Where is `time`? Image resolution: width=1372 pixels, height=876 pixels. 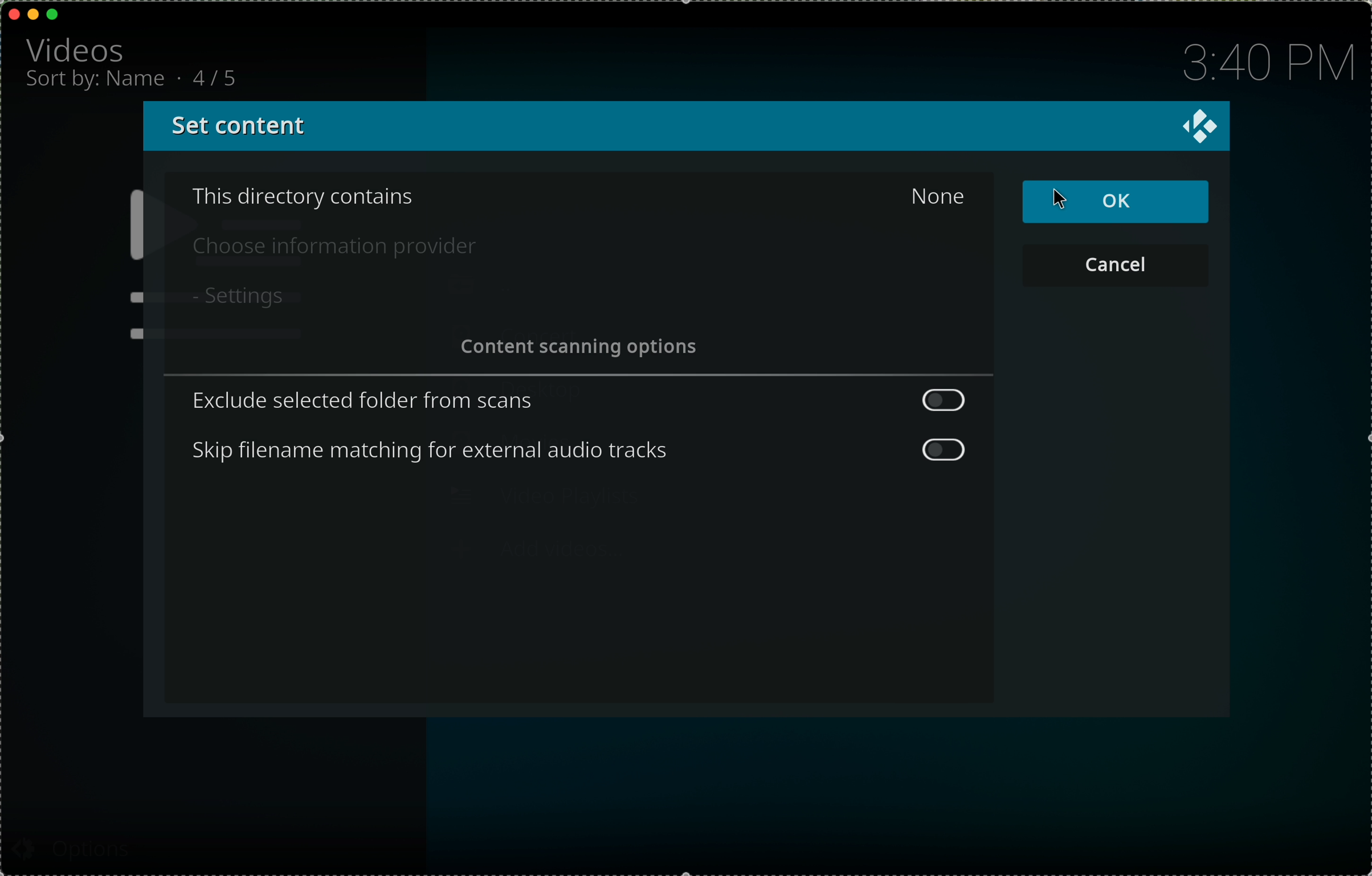
time is located at coordinates (1265, 63).